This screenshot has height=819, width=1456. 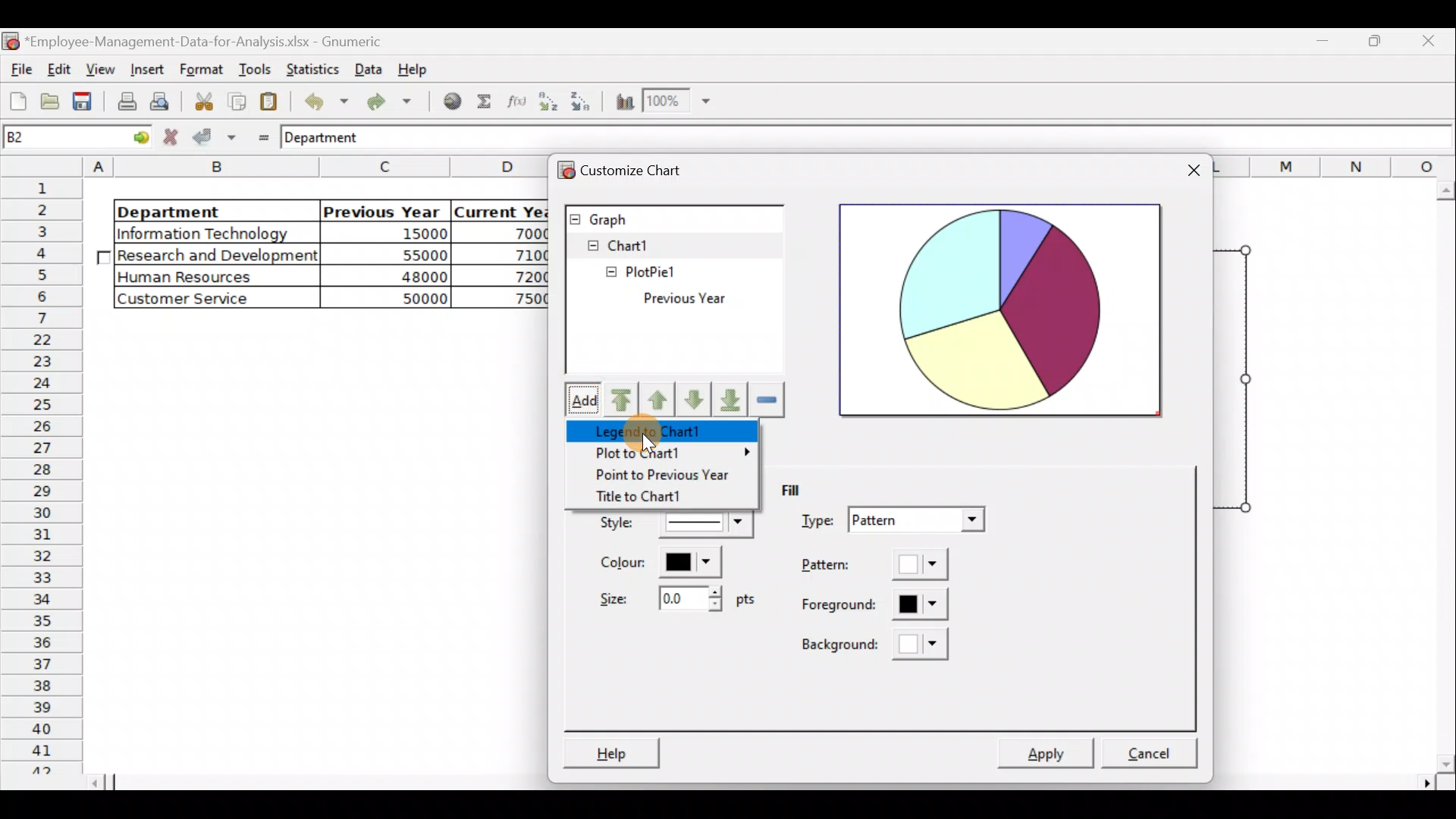 What do you see at coordinates (623, 400) in the screenshot?
I see `Move upward` at bounding box center [623, 400].